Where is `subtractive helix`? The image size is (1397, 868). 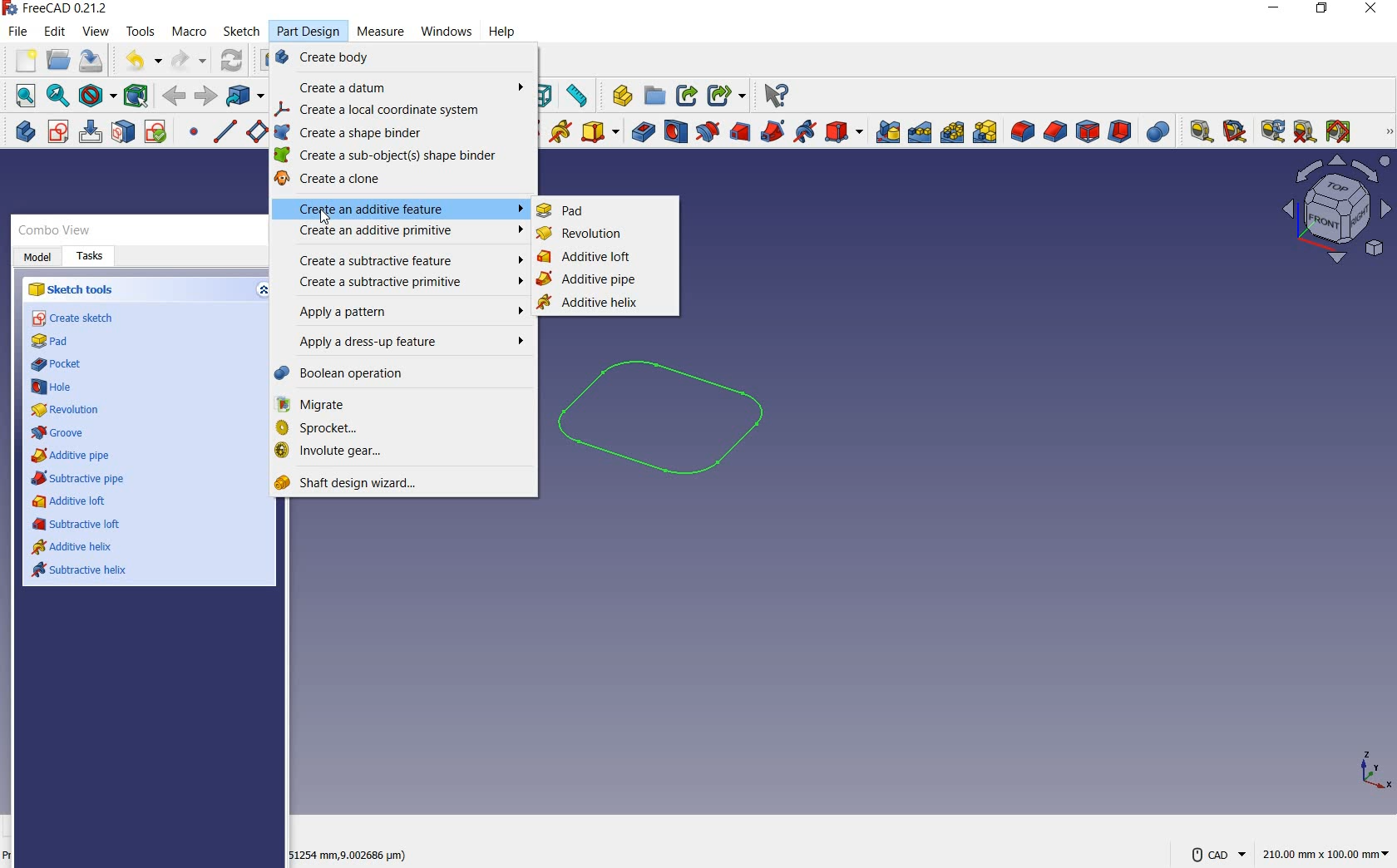 subtractive helix is located at coordinates (804, 132).